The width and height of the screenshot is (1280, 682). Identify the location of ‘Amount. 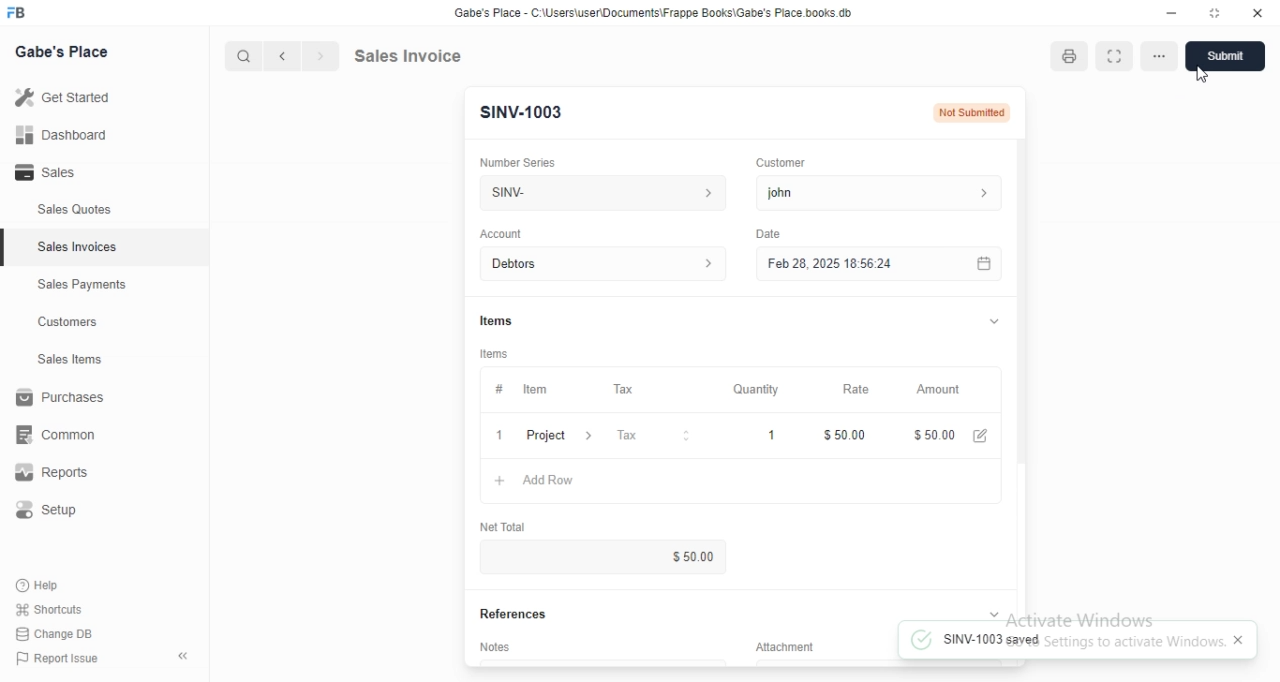
(940, 390).